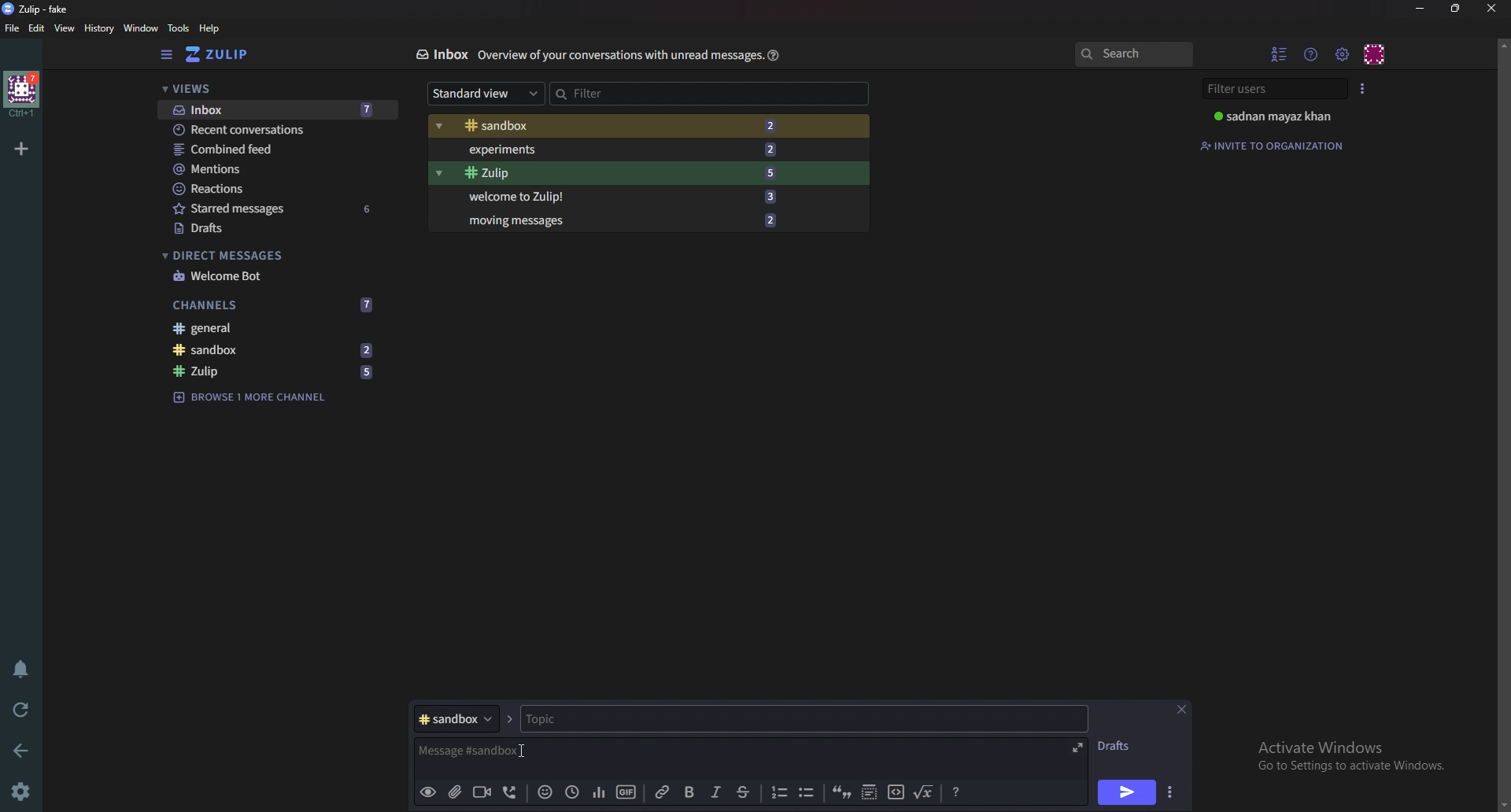 This screenshot has height=812, width=1511. What do you see at coordinates (688, 792) in the screenshot?
I see `bold` at bounding box center [688, 792].